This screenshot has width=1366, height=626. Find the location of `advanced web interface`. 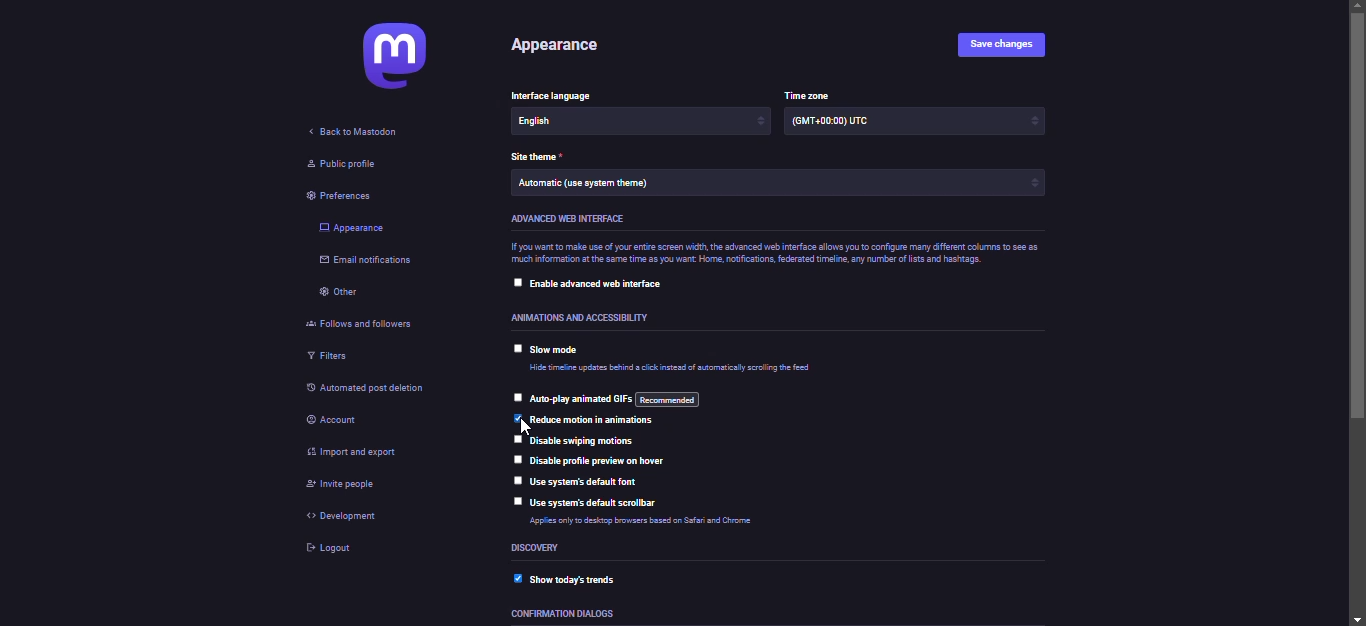

advanced web interface is located at coordinates (565, 218).